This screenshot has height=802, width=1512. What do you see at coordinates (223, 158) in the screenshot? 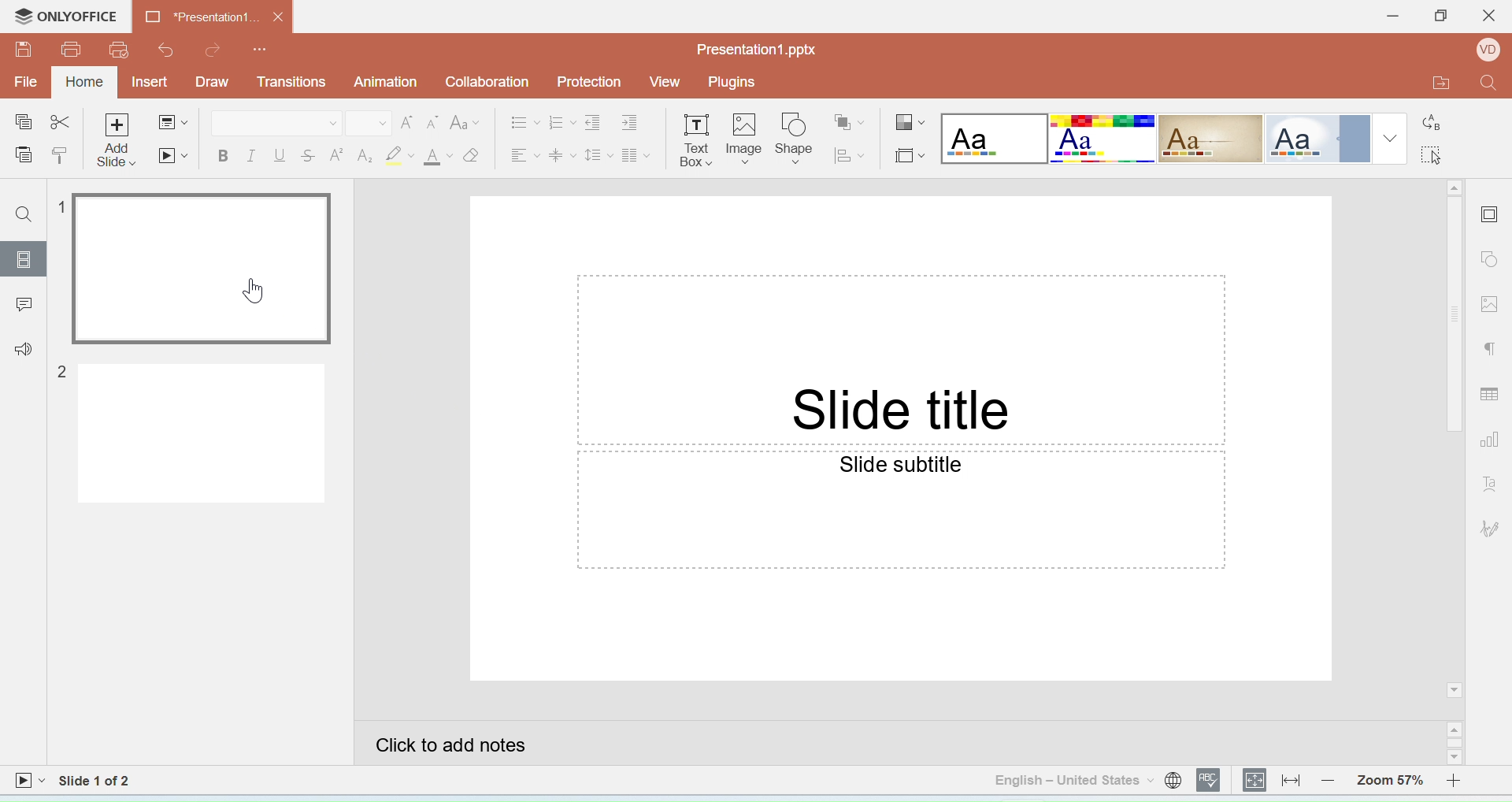
I see `Bold` at bounding box center [223, 158].